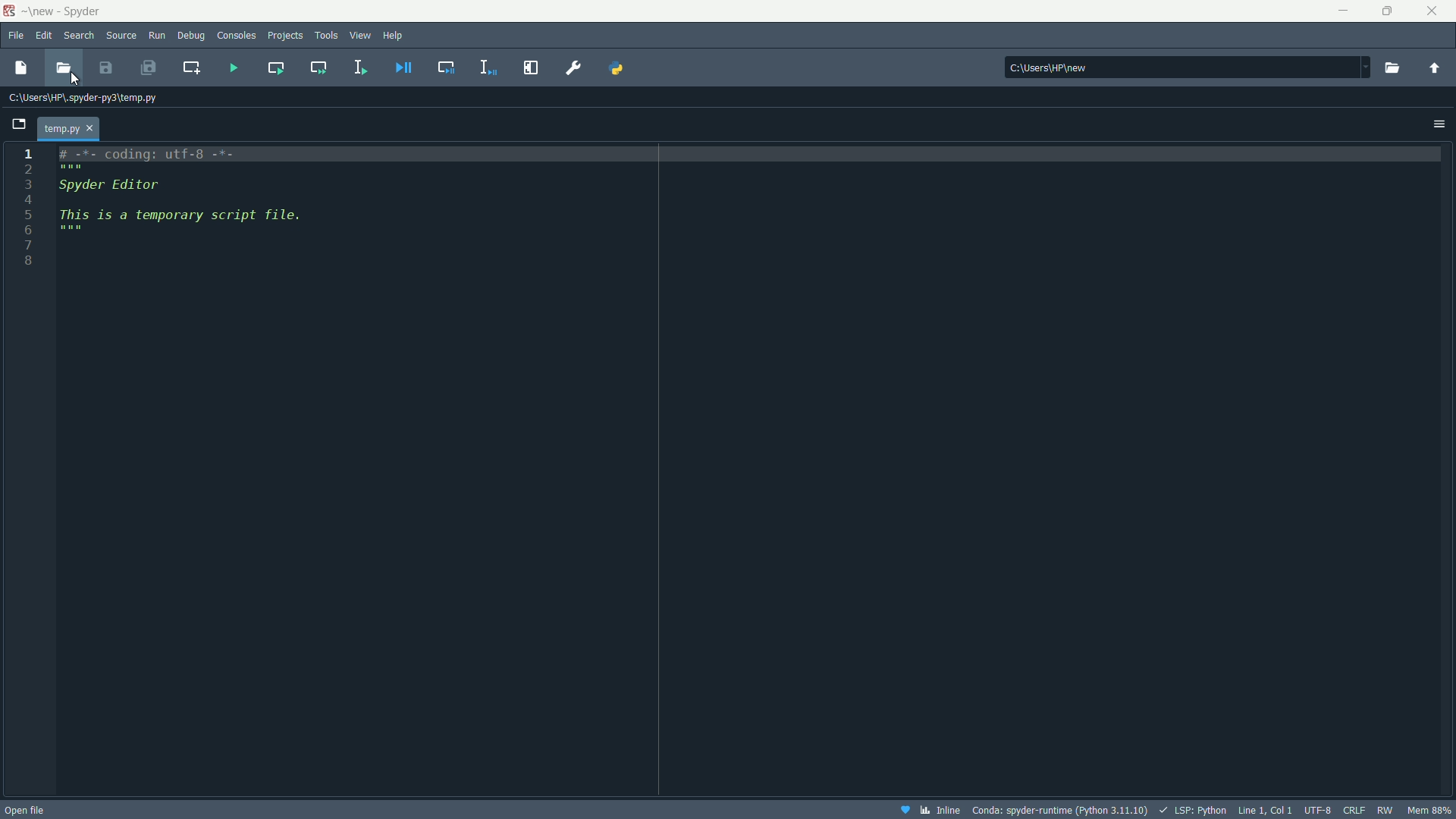 This screenshot has width=1456, height=819. Describe the element at coordinates (359, 36) in the screenshot. I see `View menu` at that location.